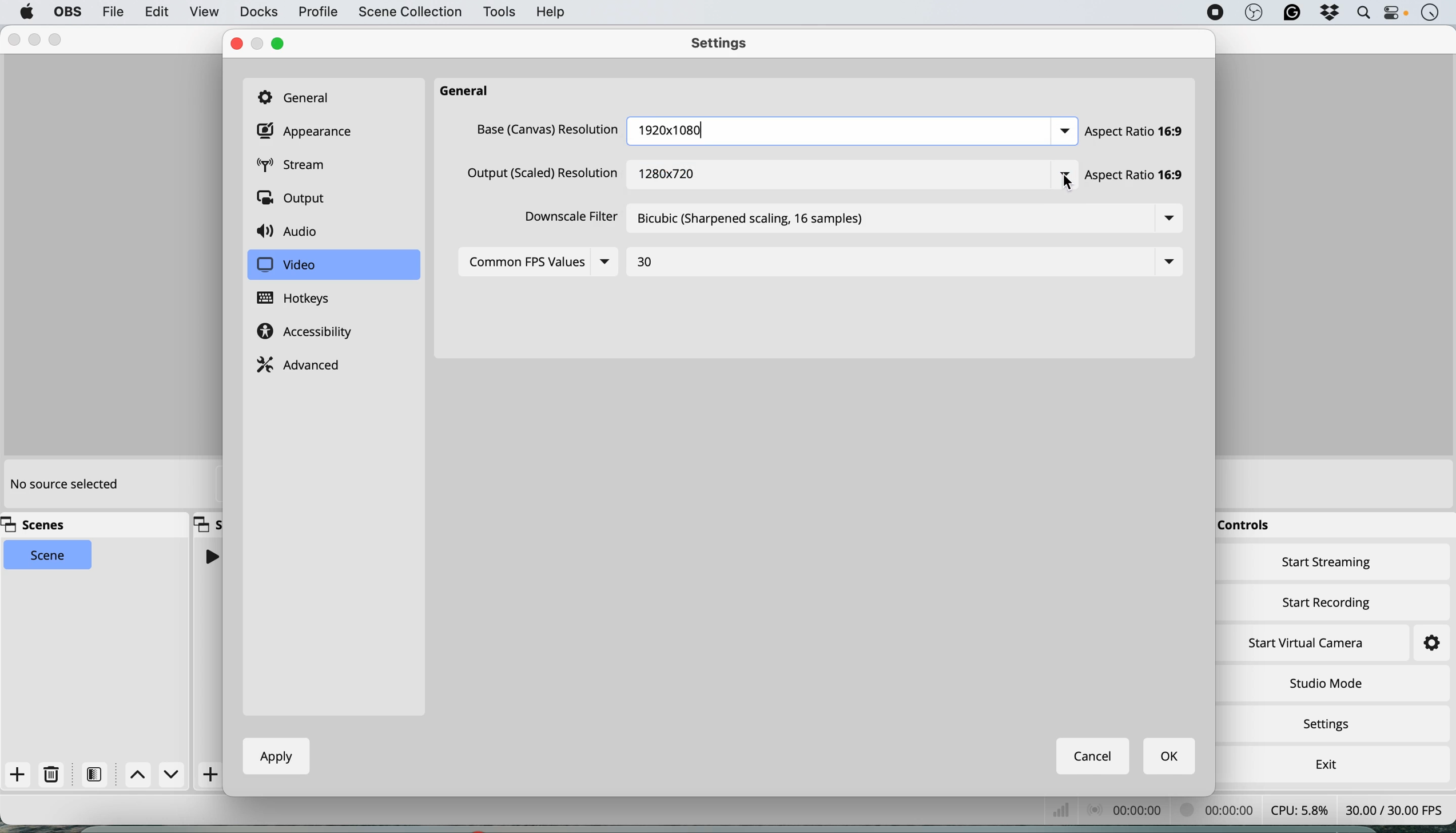 Image resolution: width=1456 pixels, height=833 pixels. I want to click on screen recorder, so click(1212, 13).